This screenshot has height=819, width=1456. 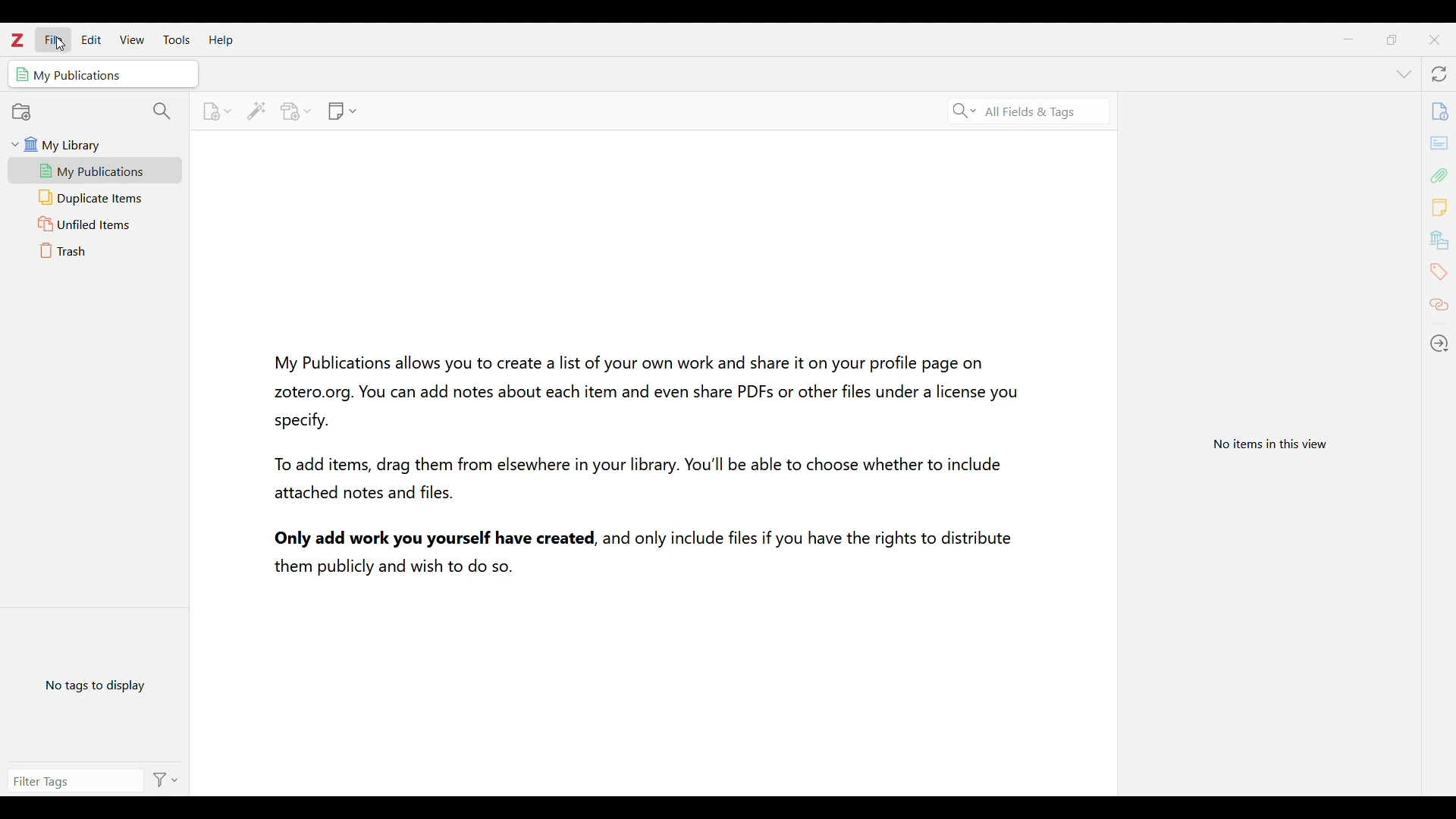 I want to click on File, so click(x=53, y=39).